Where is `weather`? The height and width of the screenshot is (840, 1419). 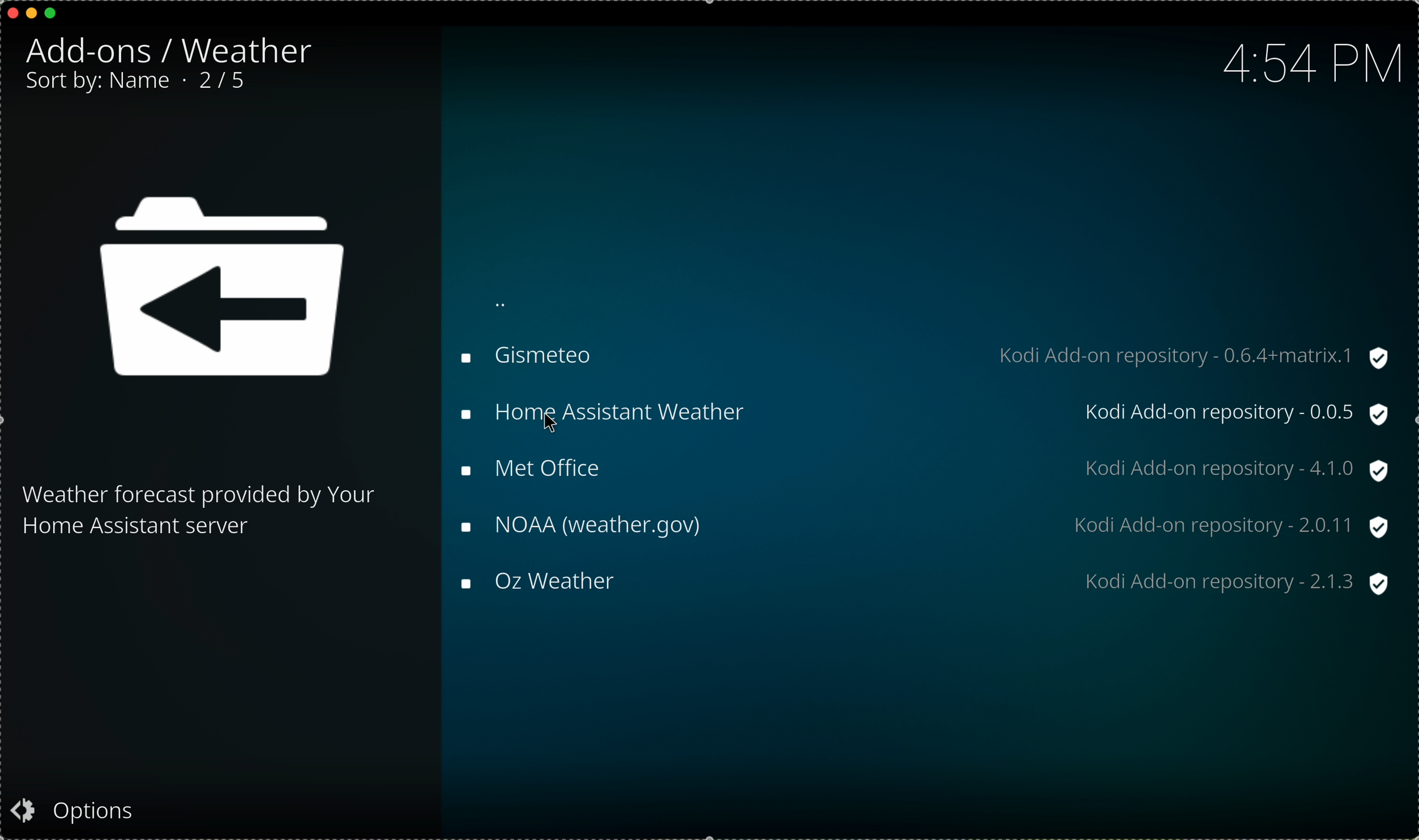
weather is located at coordinates (249, 47).